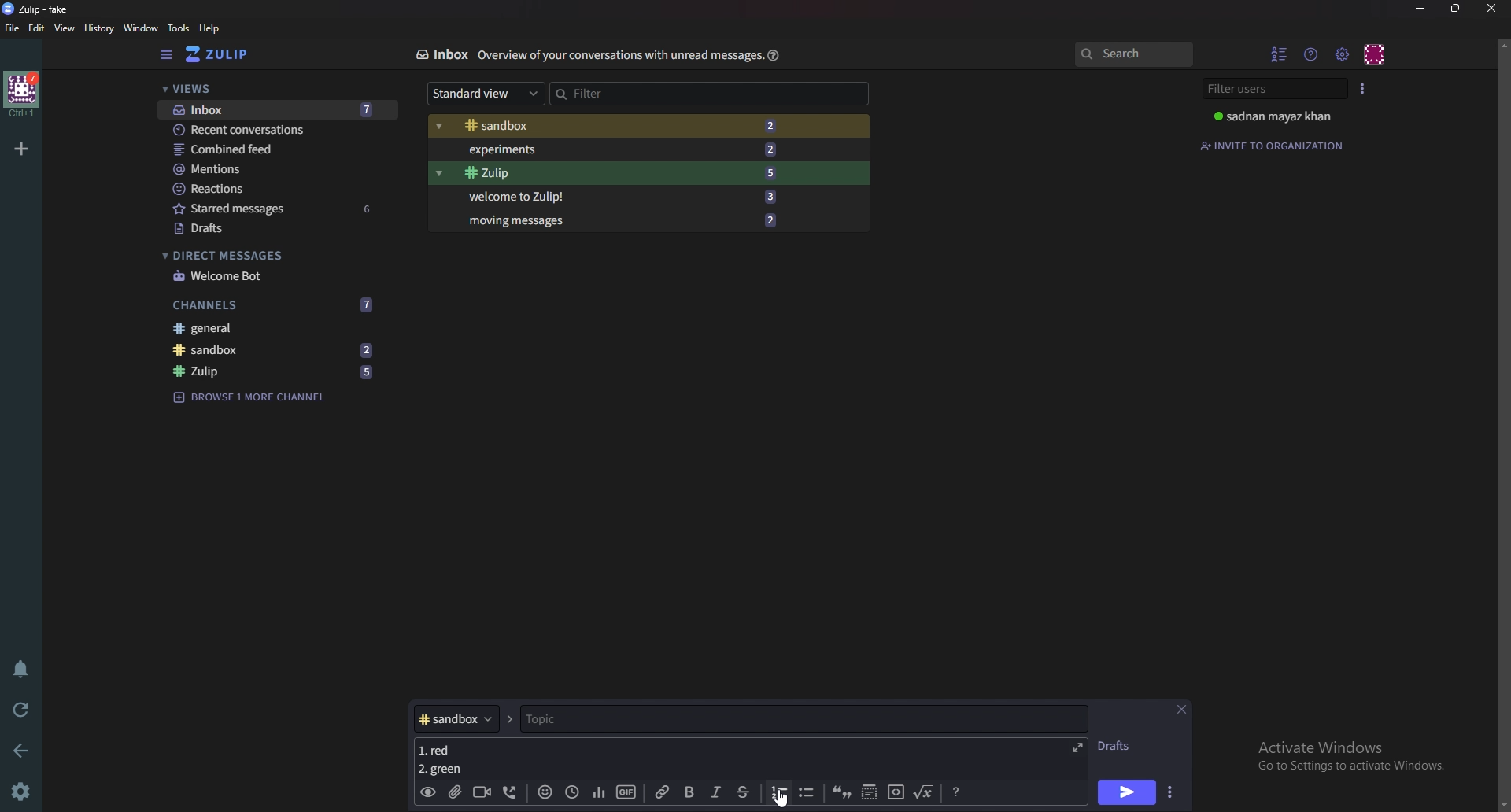  Describe the element at coordinates (269, 90) in the screenshot. I see `Views` at that location.